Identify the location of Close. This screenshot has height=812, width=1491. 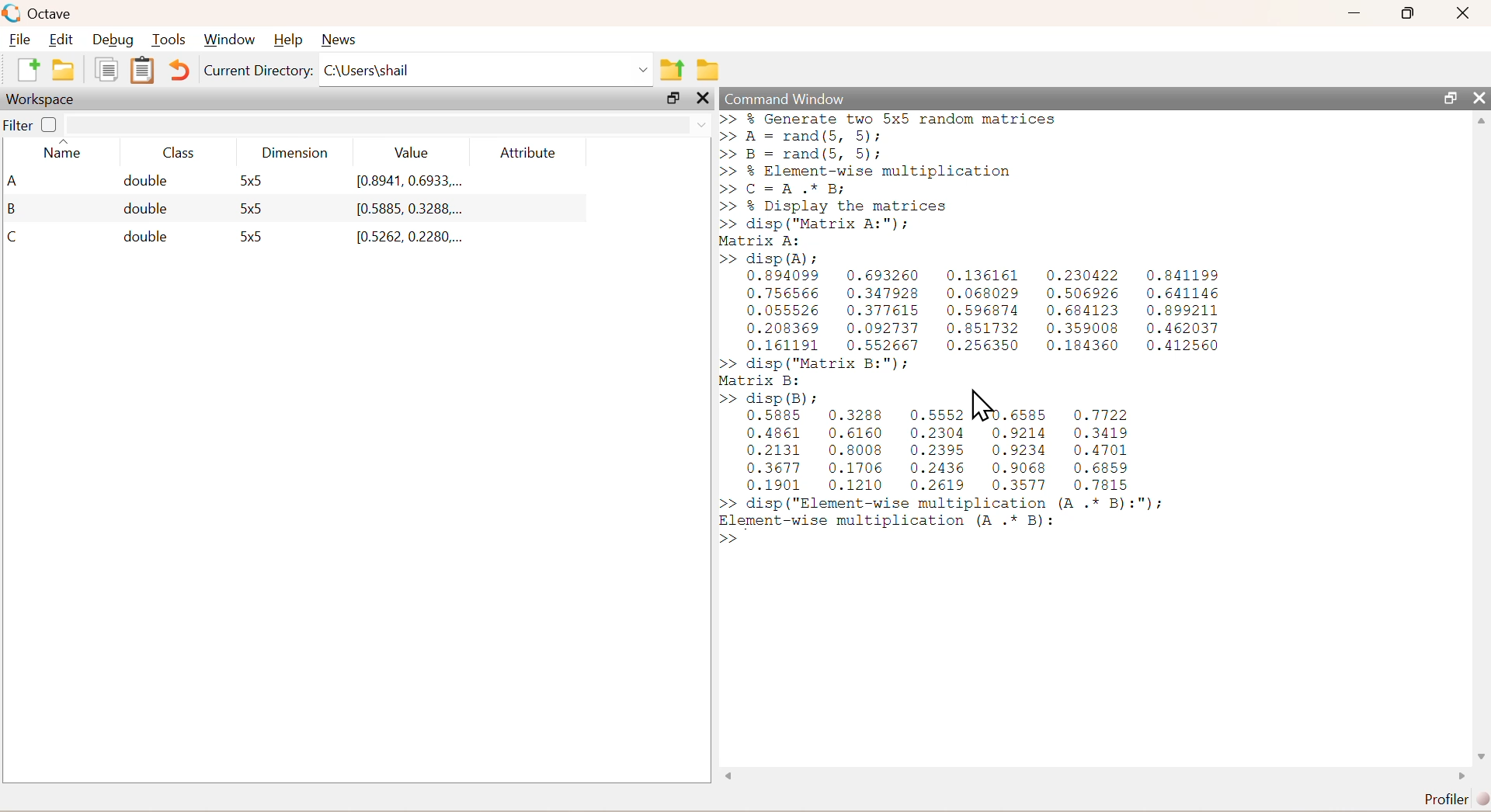
(1465, 15).